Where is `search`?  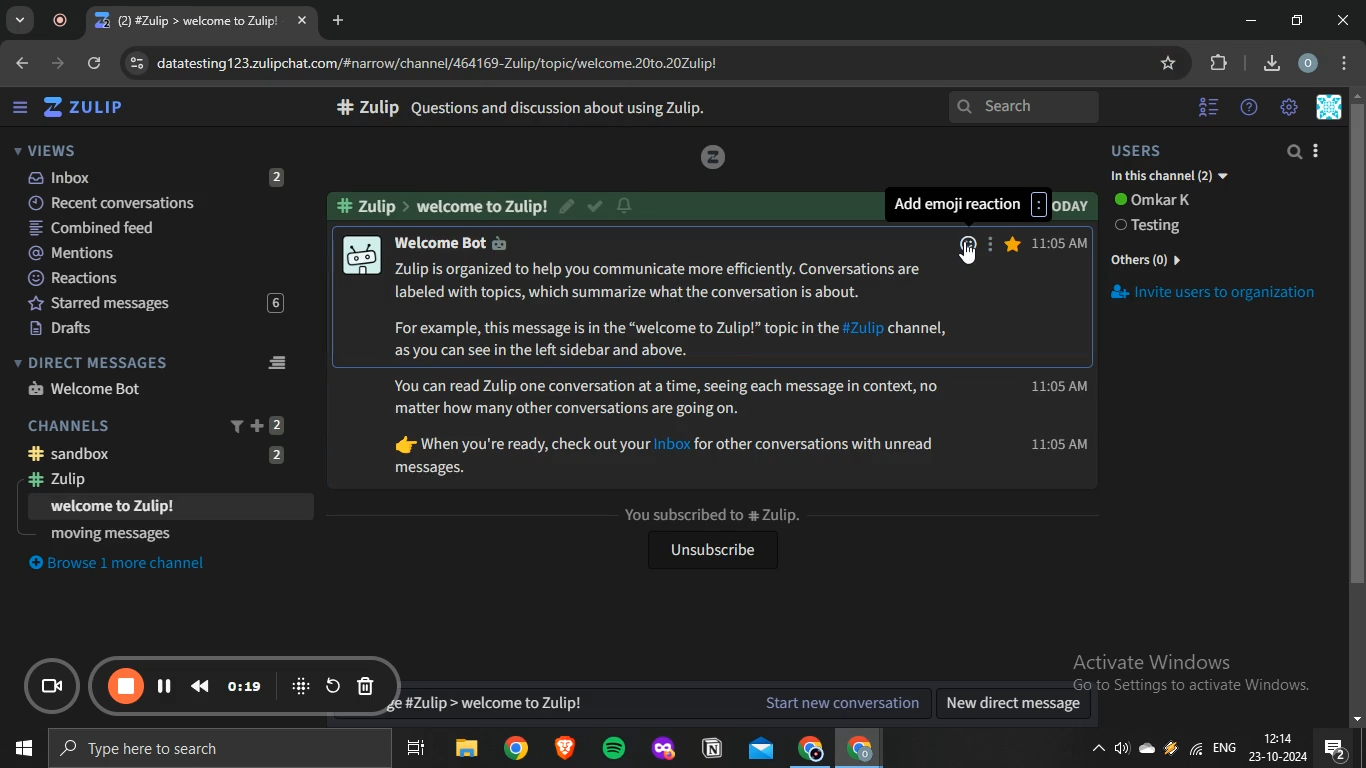
search is located at coordinates (1296, 153).